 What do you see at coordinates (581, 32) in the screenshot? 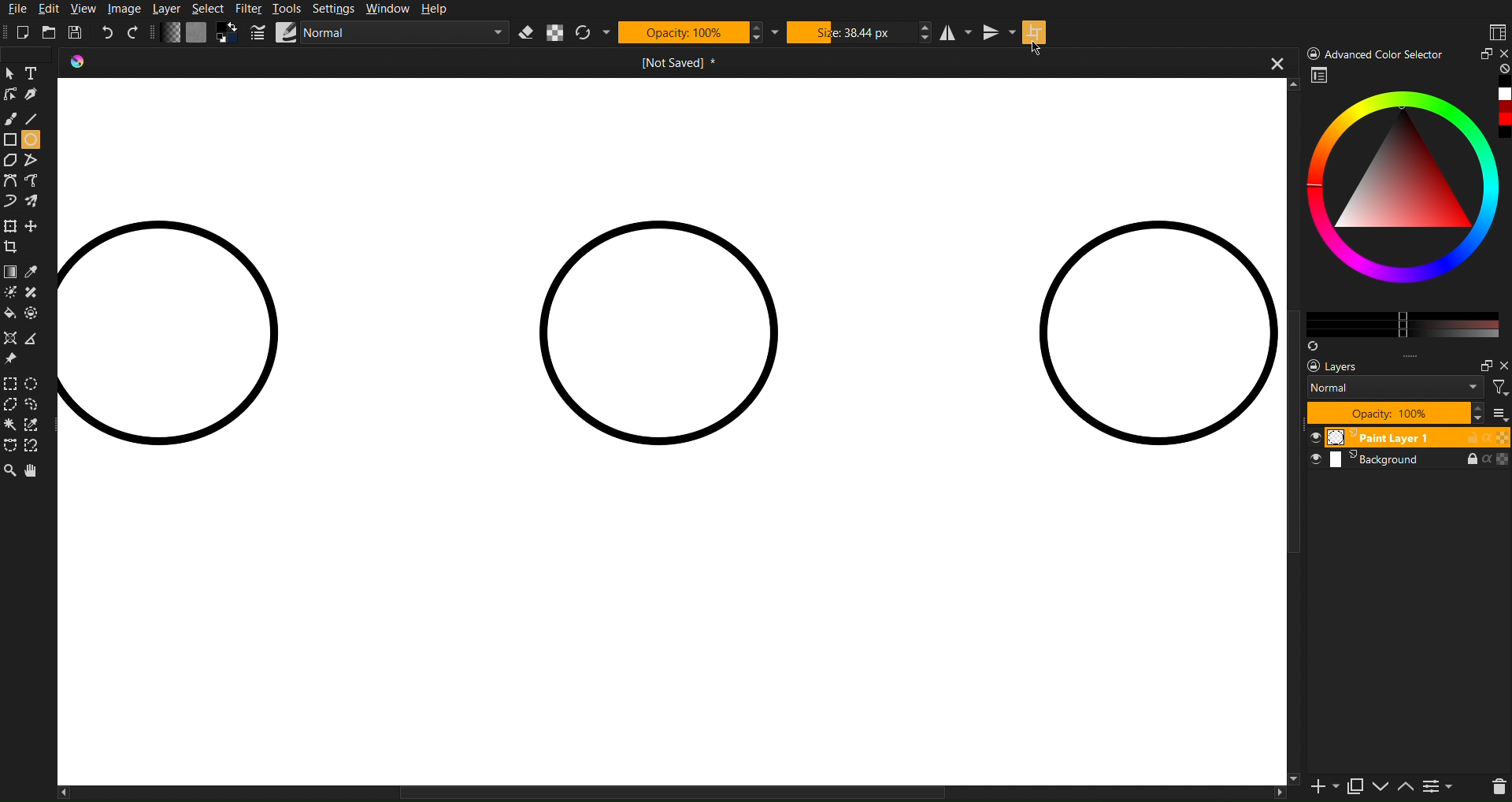
I see `Refresh` at bounding box center [581, 32].